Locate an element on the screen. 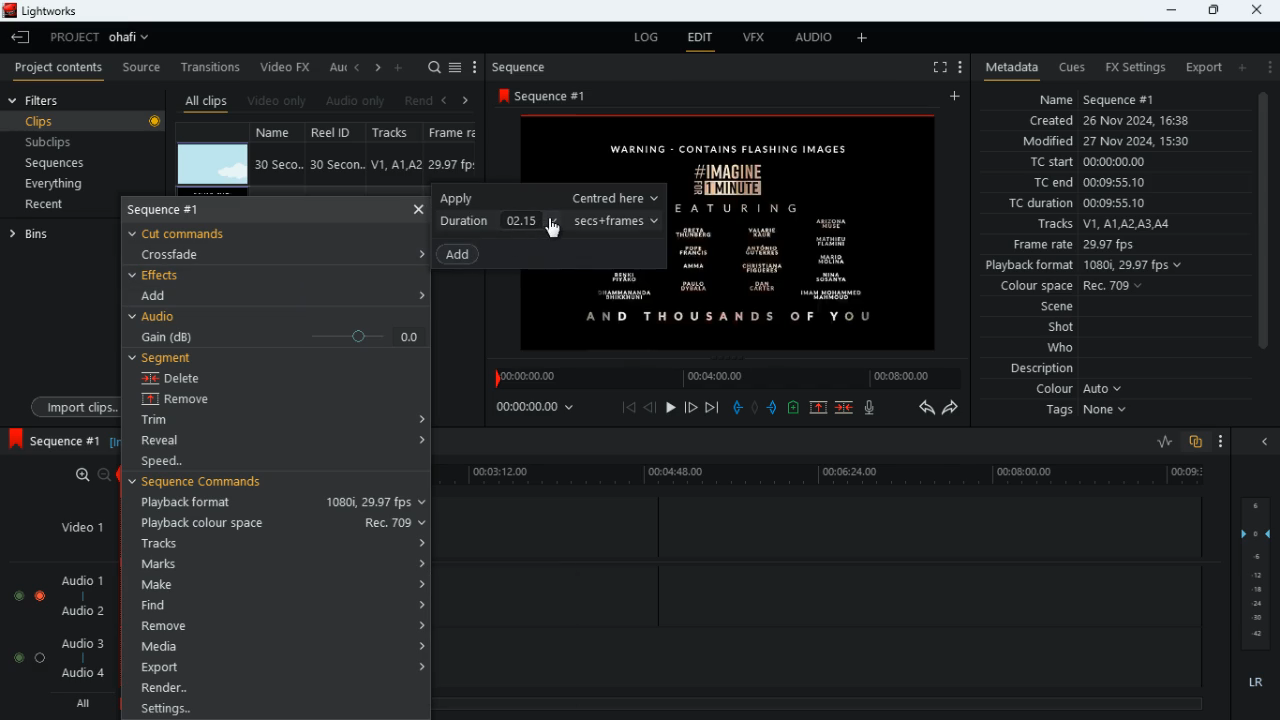 The width and height of the screenshot is (1280, 720). project contents is located at coordinates (59, 67).